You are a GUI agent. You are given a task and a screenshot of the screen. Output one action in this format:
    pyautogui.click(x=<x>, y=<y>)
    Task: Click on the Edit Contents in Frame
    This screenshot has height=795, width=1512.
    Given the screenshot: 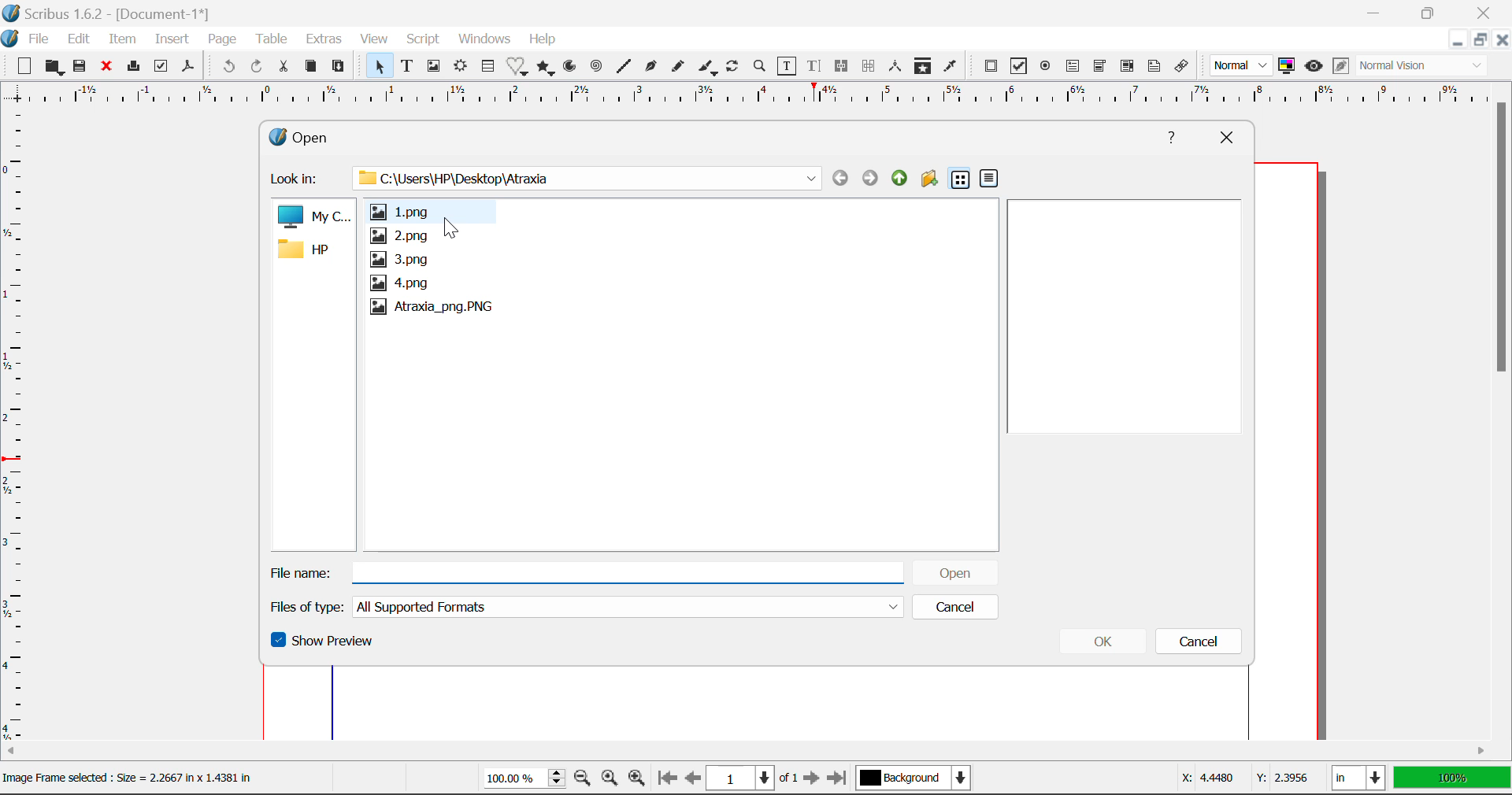 What is the action you would take?
    pyautogui.click(x=788, y=66)
    